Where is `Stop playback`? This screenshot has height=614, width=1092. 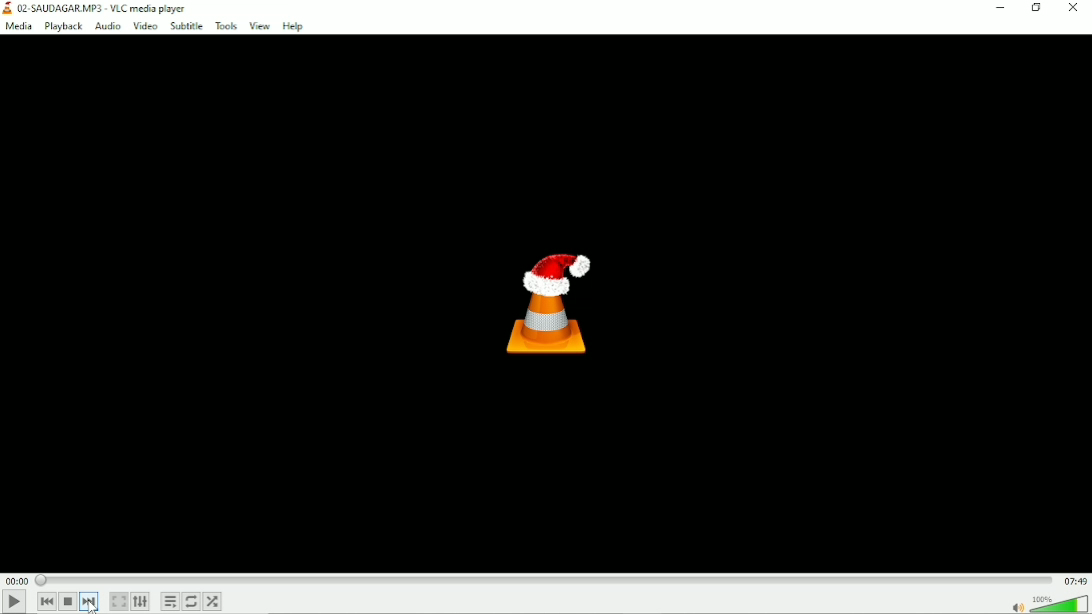 Stop playback is located at coordinates (68, 603).